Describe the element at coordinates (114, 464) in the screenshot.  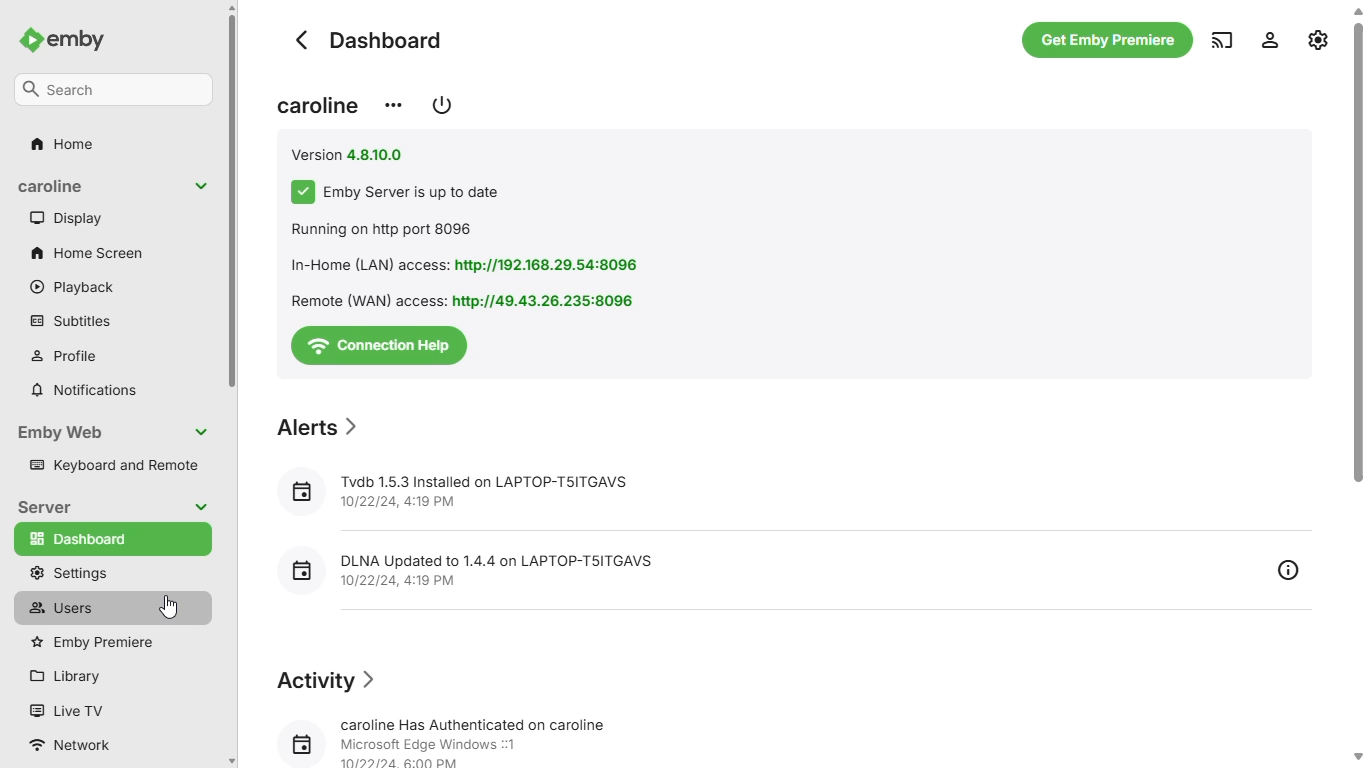
I see `keyboard and remote` at that location.